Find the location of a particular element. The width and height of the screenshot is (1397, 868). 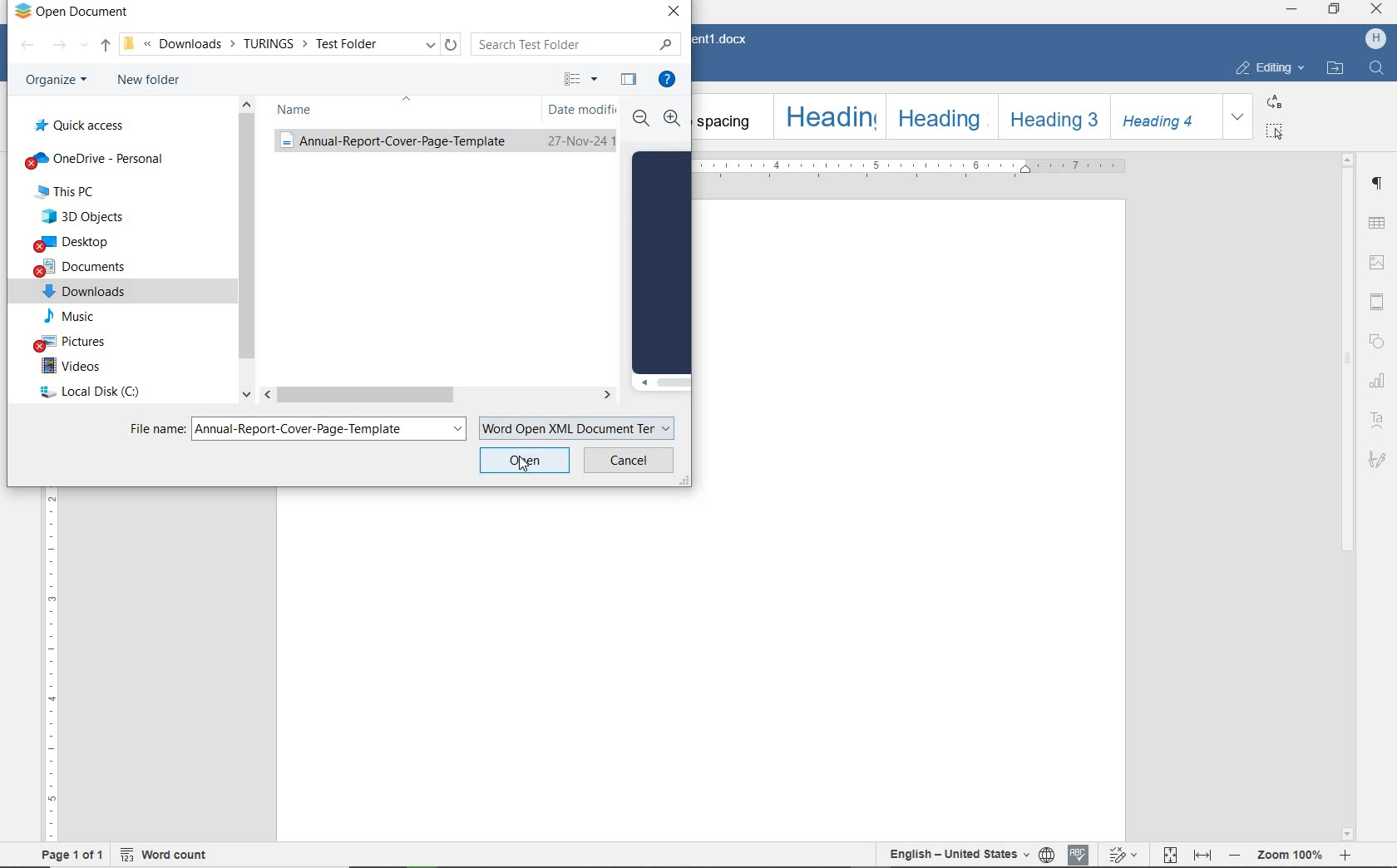

document language is located at coordinates (1047, 854).